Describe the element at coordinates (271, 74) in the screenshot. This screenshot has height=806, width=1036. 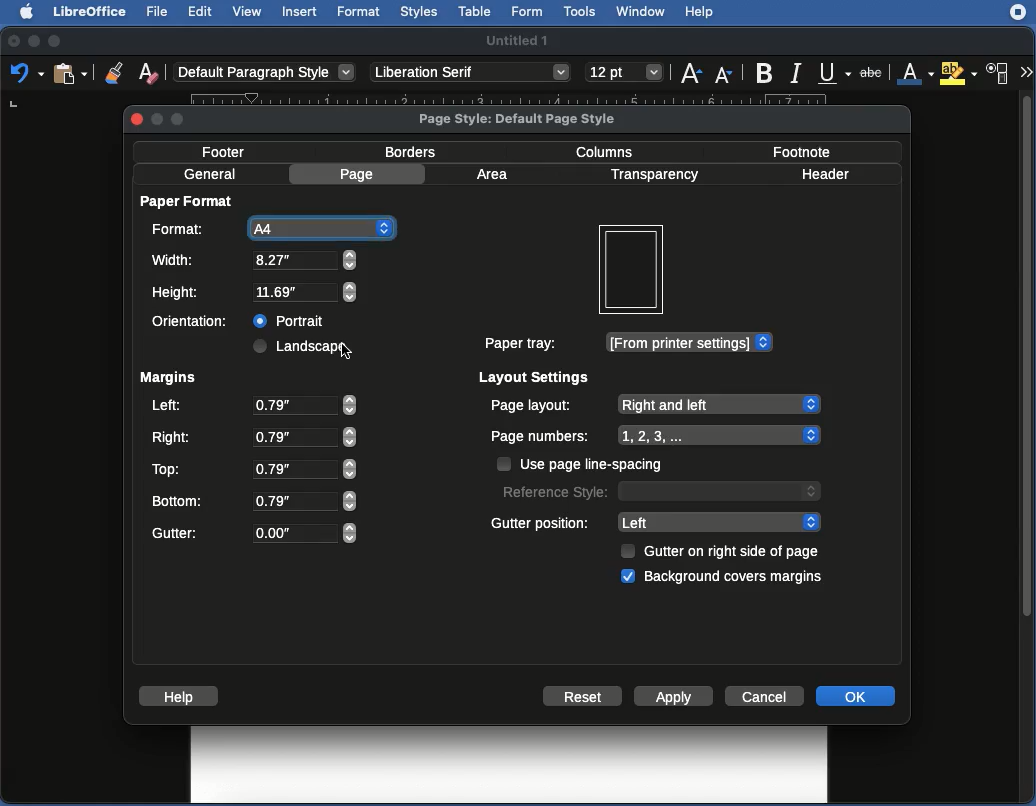
I see `Default paragraph style` at that location.